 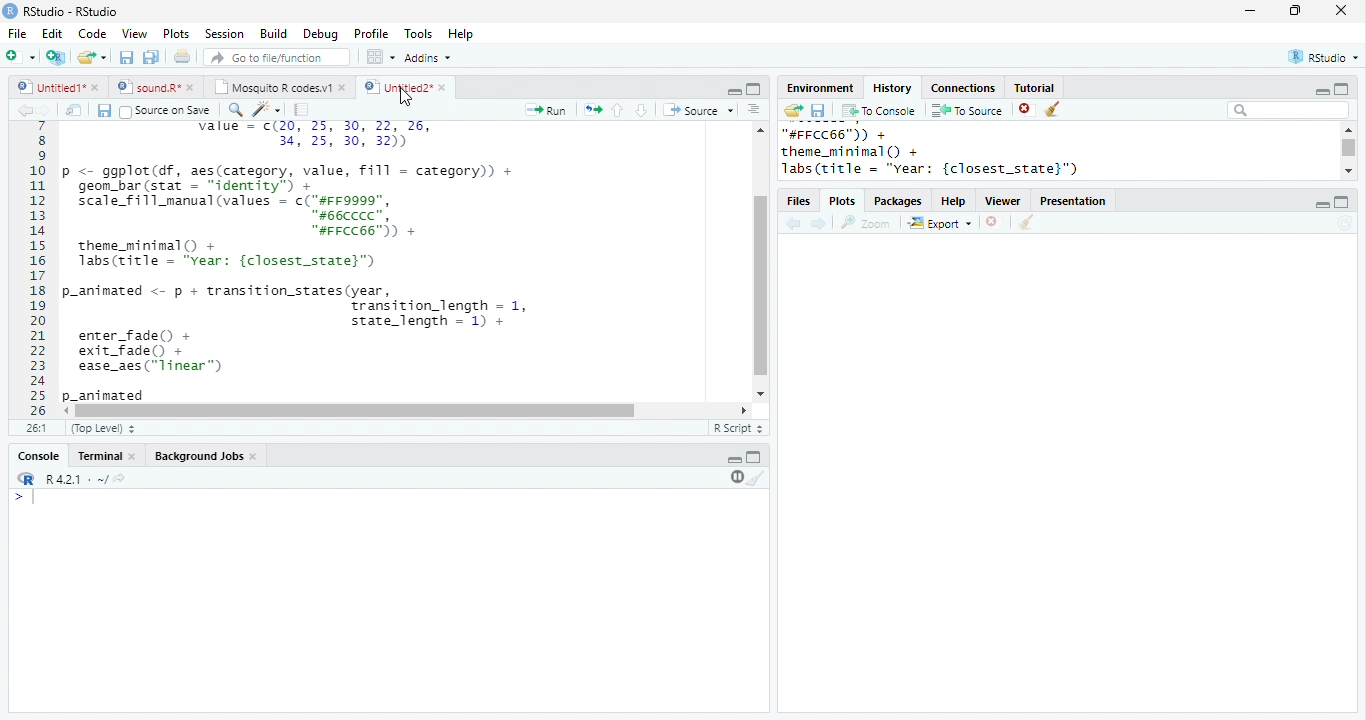 I want to click on compile report, so click(x=302, y=110).